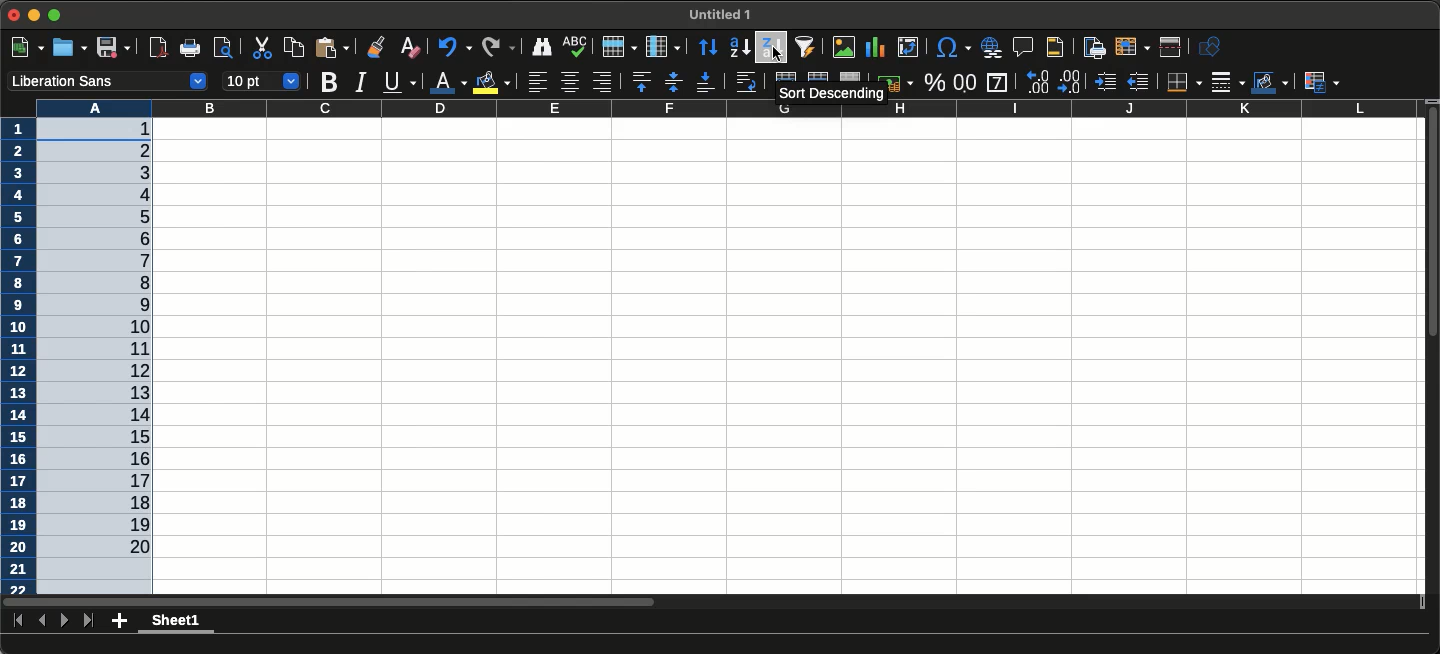  What do you see at coordinates (359, 83) in the screenshot?
I see `Italics` at bounding box center [359, 83].